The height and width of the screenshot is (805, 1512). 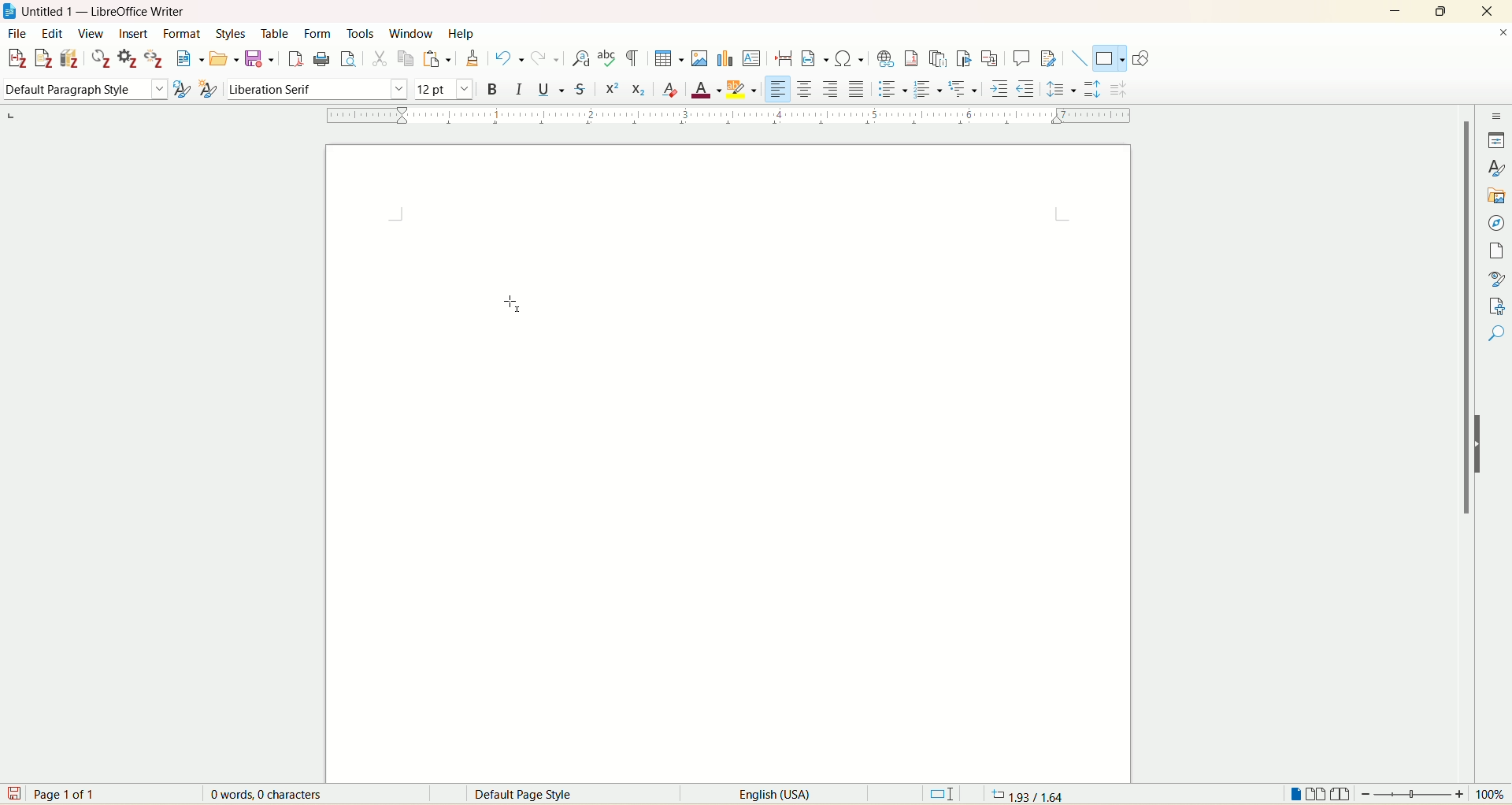 I want to click on find and replace, so click(x=582, y=59).